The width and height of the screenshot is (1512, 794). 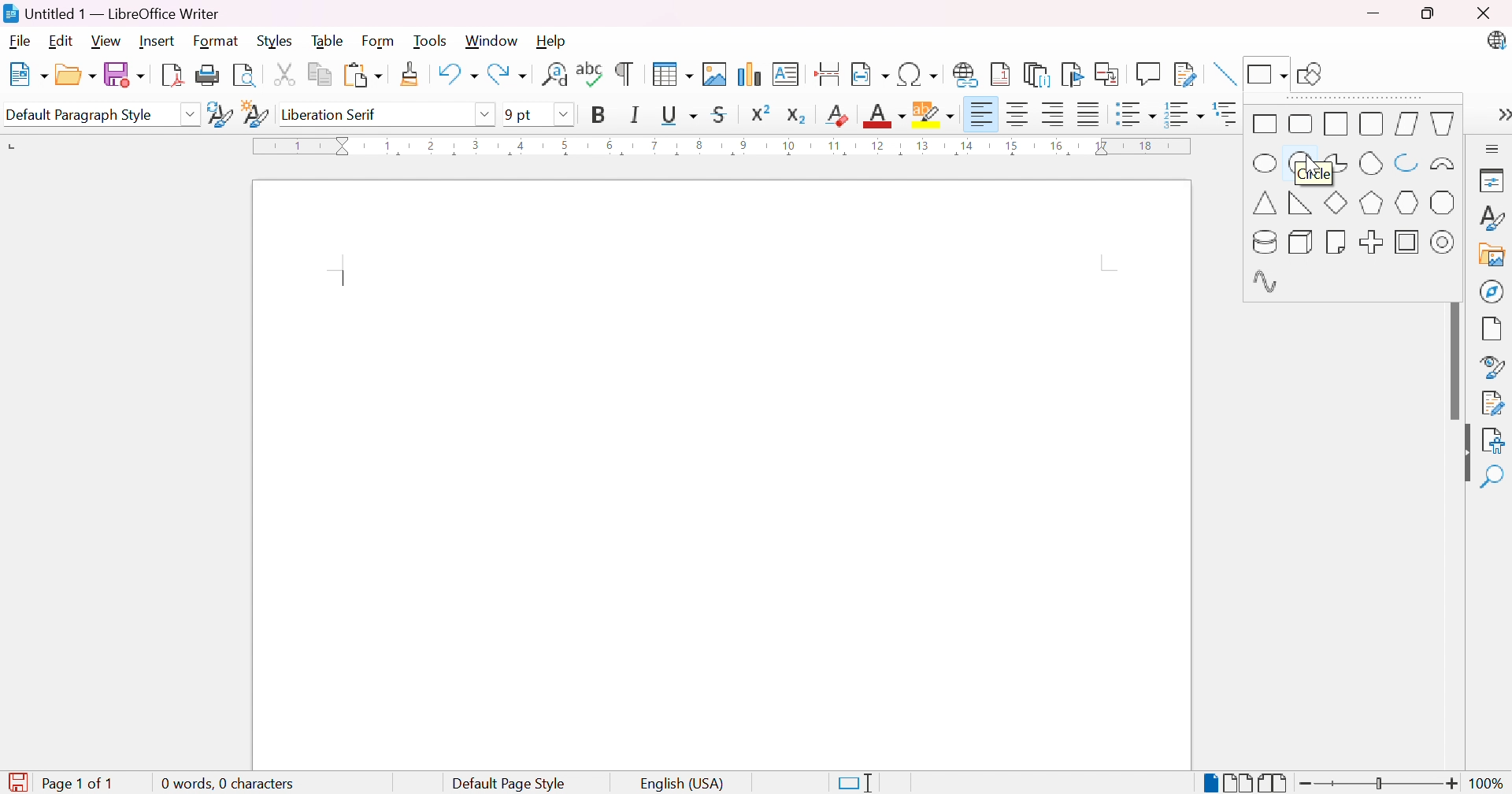 What do you see at coordinates (20, 43) in the screenshot?
I see `File` at bounding box center [20, 43].